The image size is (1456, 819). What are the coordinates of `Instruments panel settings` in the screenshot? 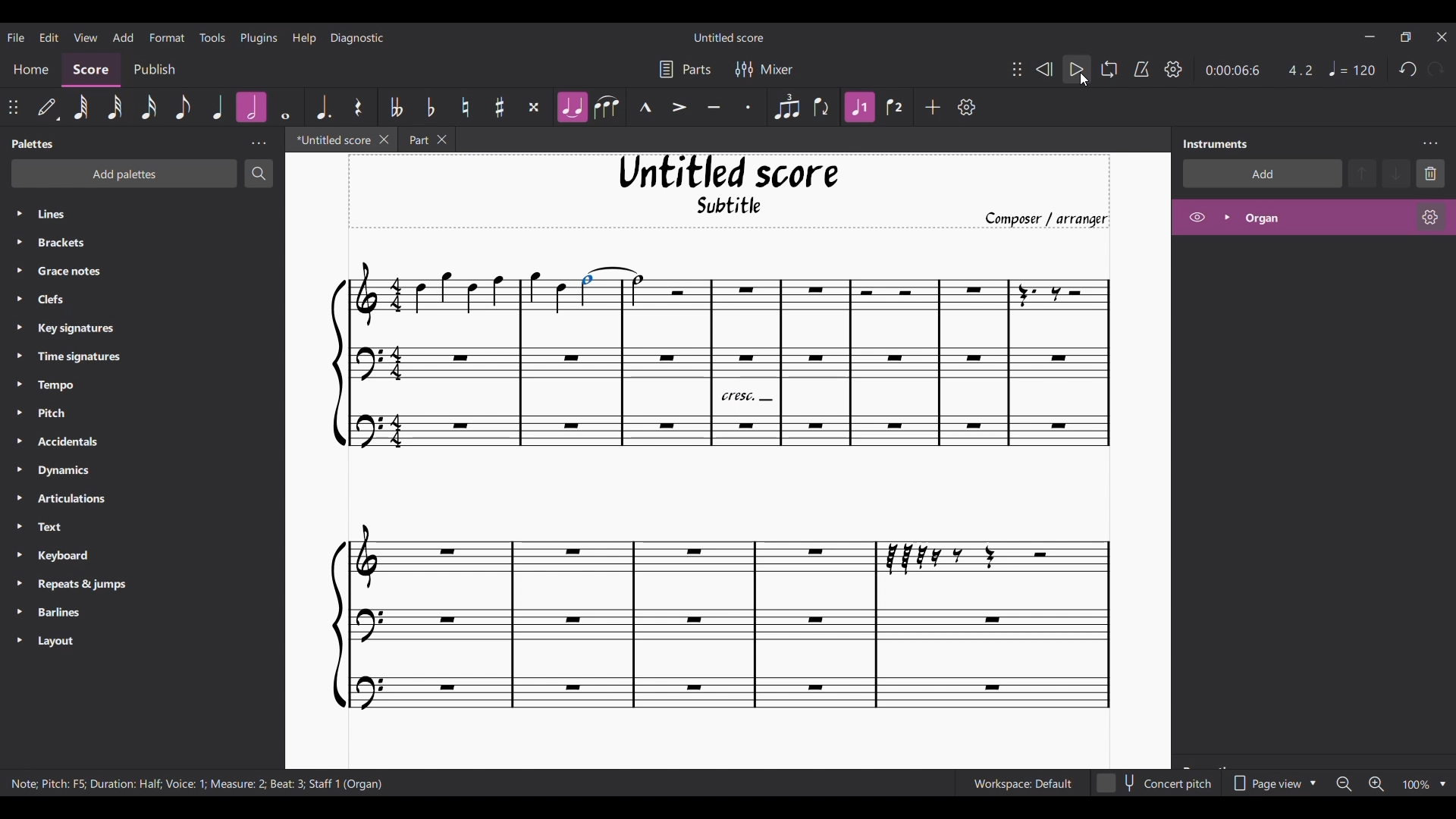 It's located at (1430, 144).